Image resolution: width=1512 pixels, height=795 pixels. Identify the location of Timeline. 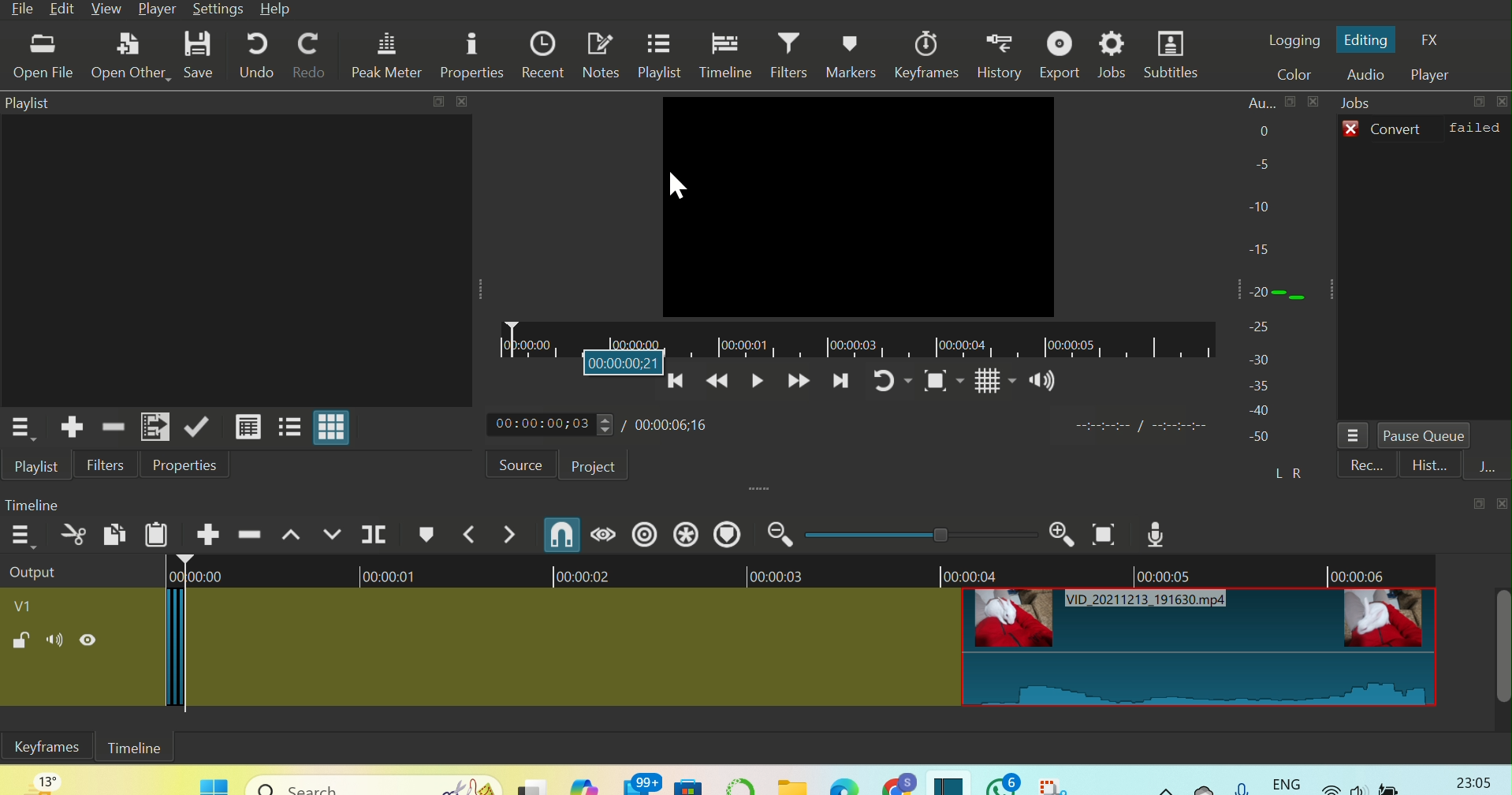
(855, 333).